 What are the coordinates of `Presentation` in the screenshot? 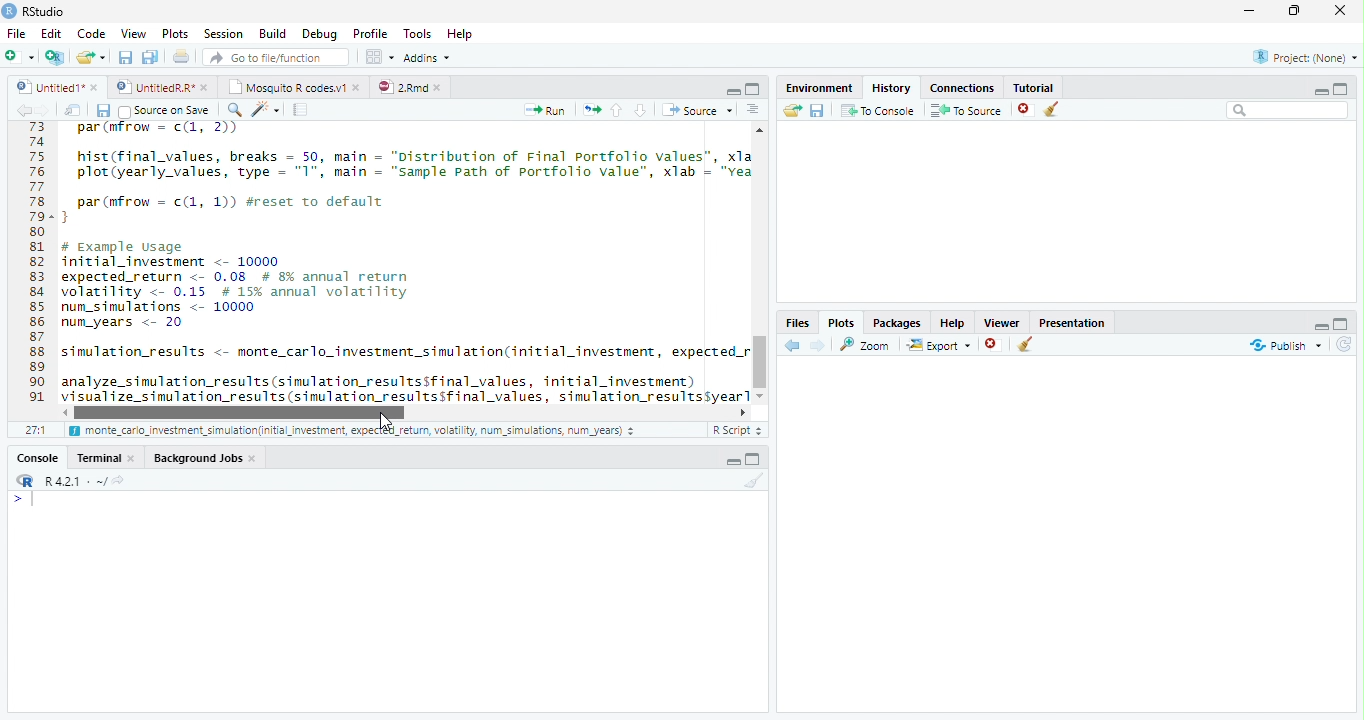 It's located at (1072, 321).